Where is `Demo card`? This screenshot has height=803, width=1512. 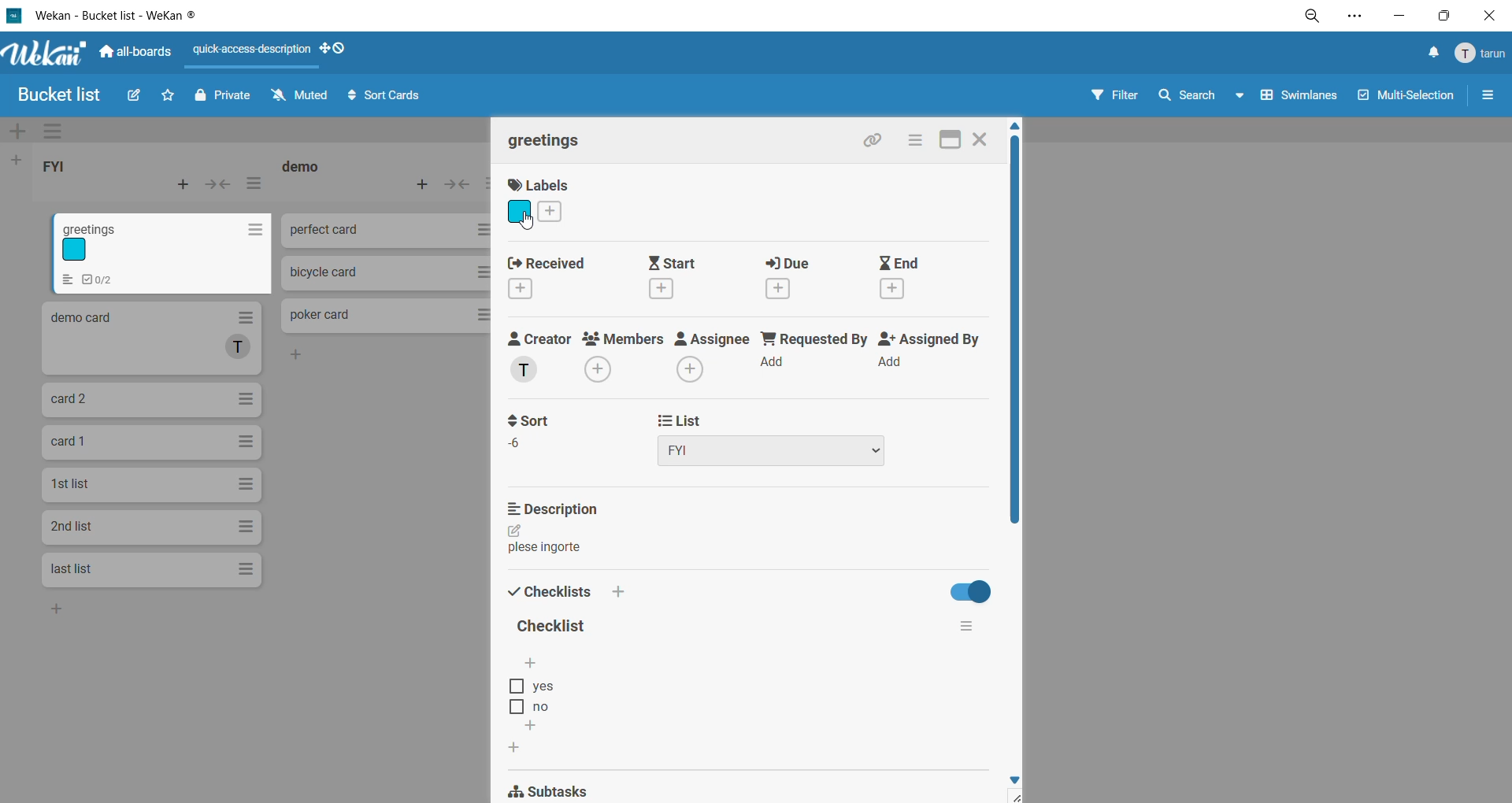
Demo card is located at coordinates (150, 339).